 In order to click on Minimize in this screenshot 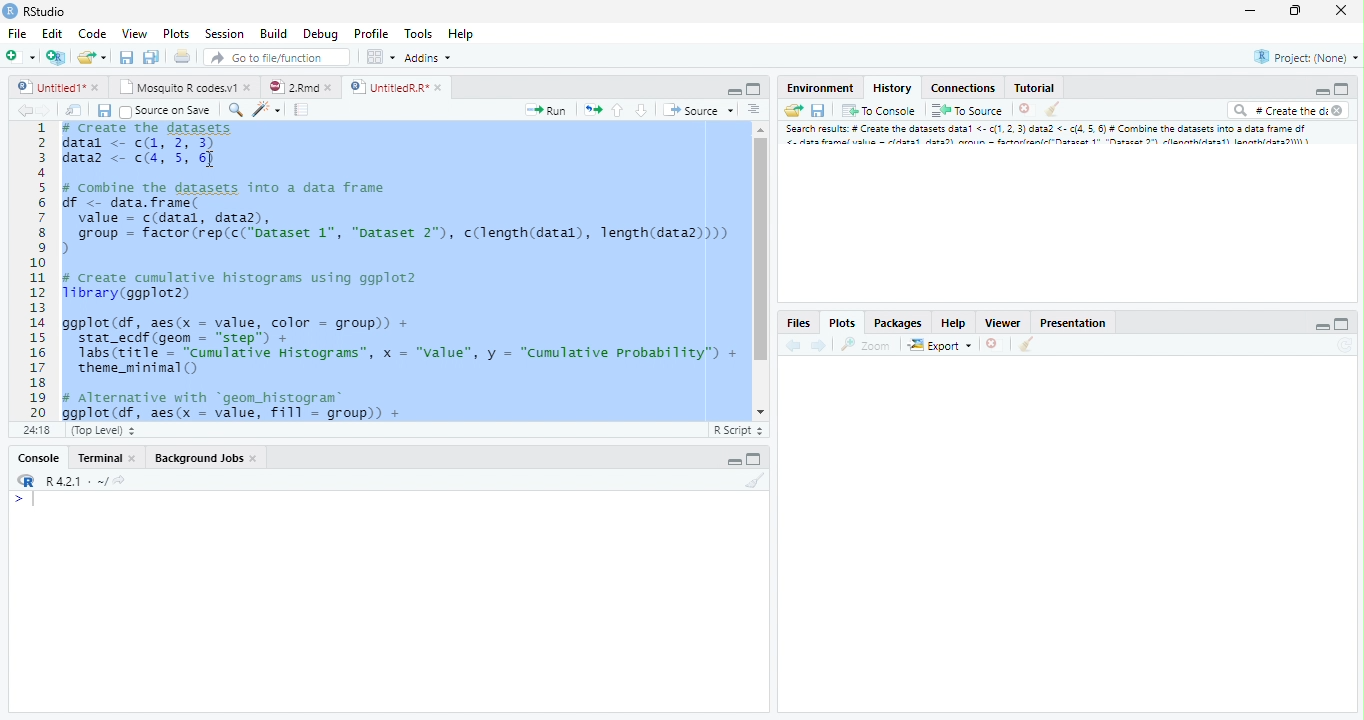, I will do `click(733, 461)`.